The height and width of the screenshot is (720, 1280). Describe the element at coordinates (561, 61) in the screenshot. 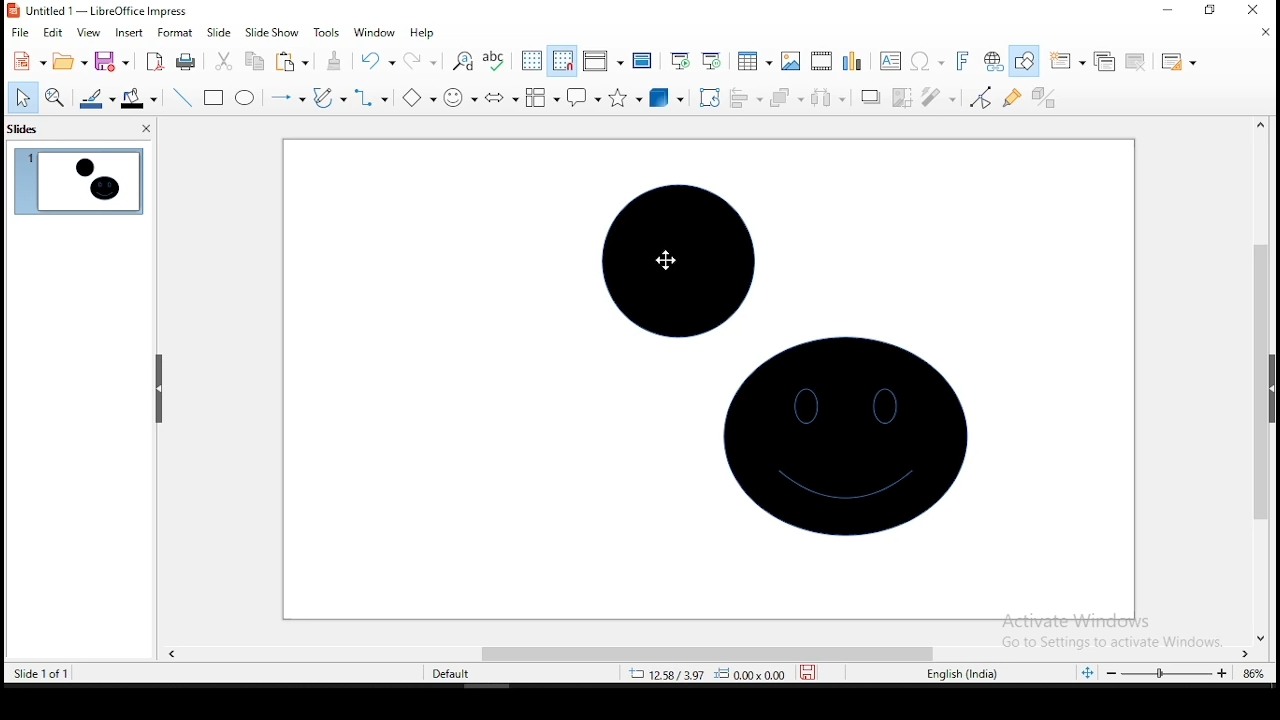

I see `snap to grid` at that location.